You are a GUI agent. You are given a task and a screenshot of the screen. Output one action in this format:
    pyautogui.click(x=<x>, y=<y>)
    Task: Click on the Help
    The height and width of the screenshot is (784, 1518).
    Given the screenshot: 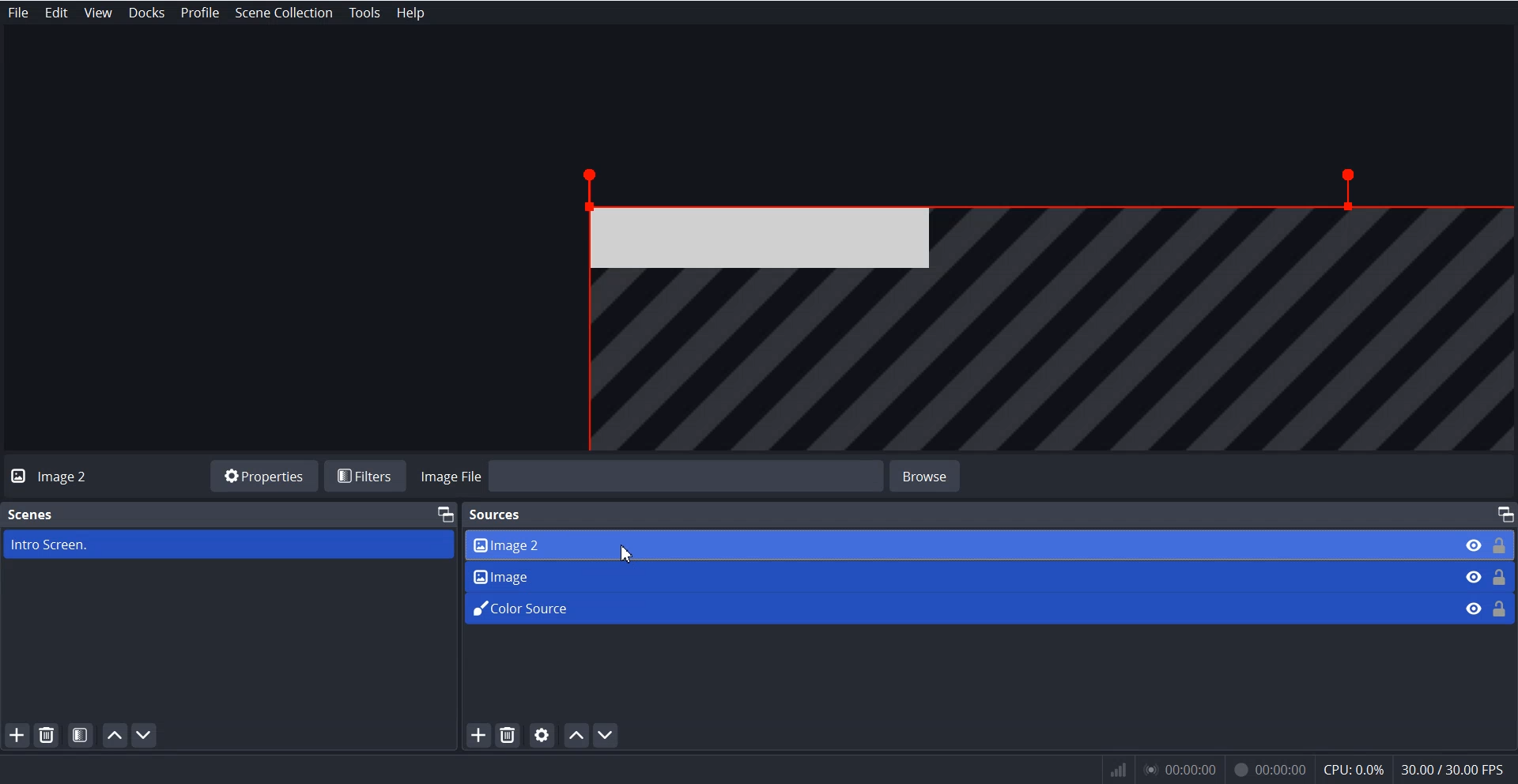 What is the action you would take?
    pyautogui.click(x=408, y=13)
    